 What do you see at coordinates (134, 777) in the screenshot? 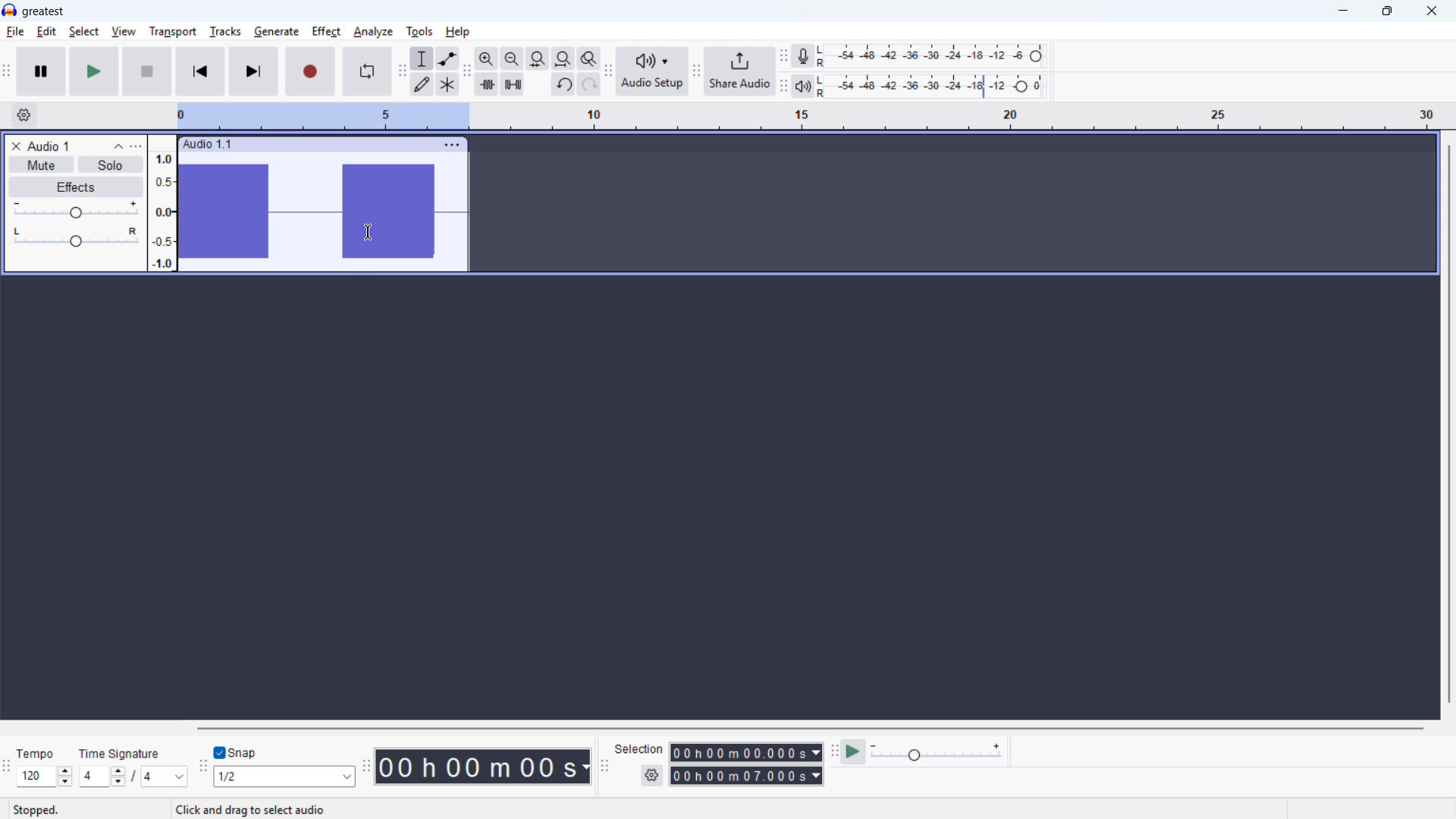
I see `Set time signature ` at bounding box center [134, 777].